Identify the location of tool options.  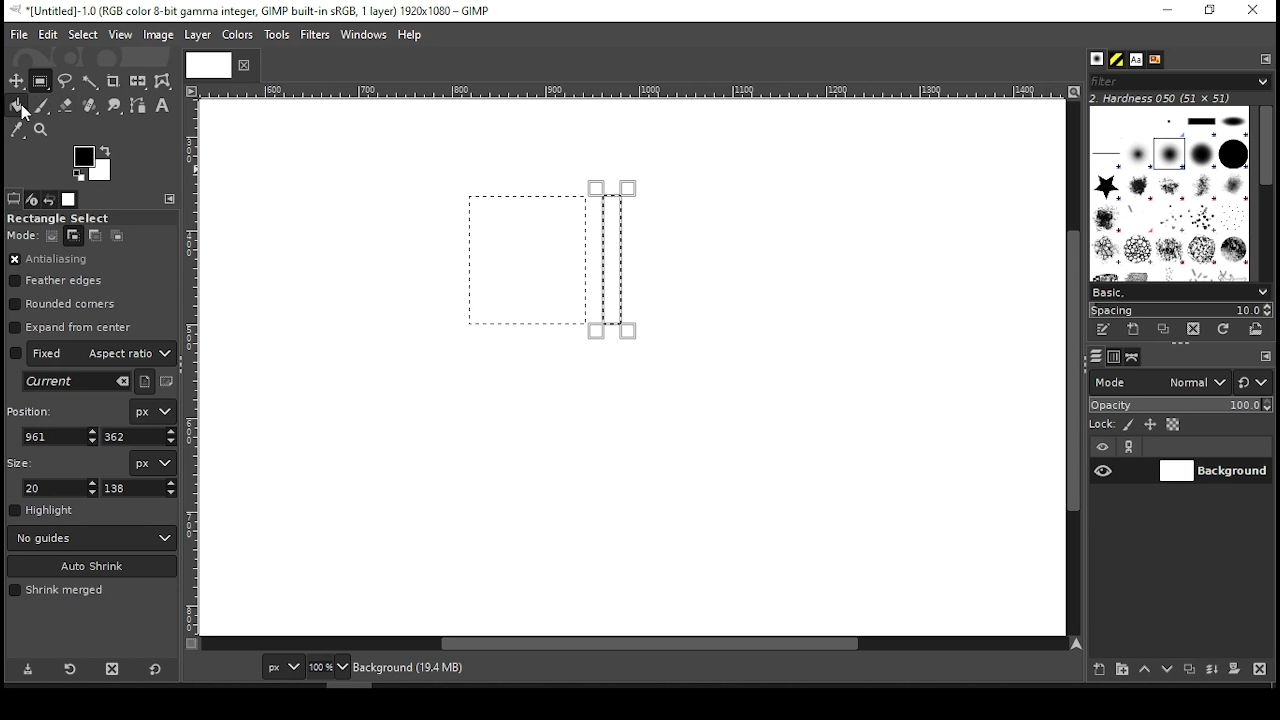
(14, 198).